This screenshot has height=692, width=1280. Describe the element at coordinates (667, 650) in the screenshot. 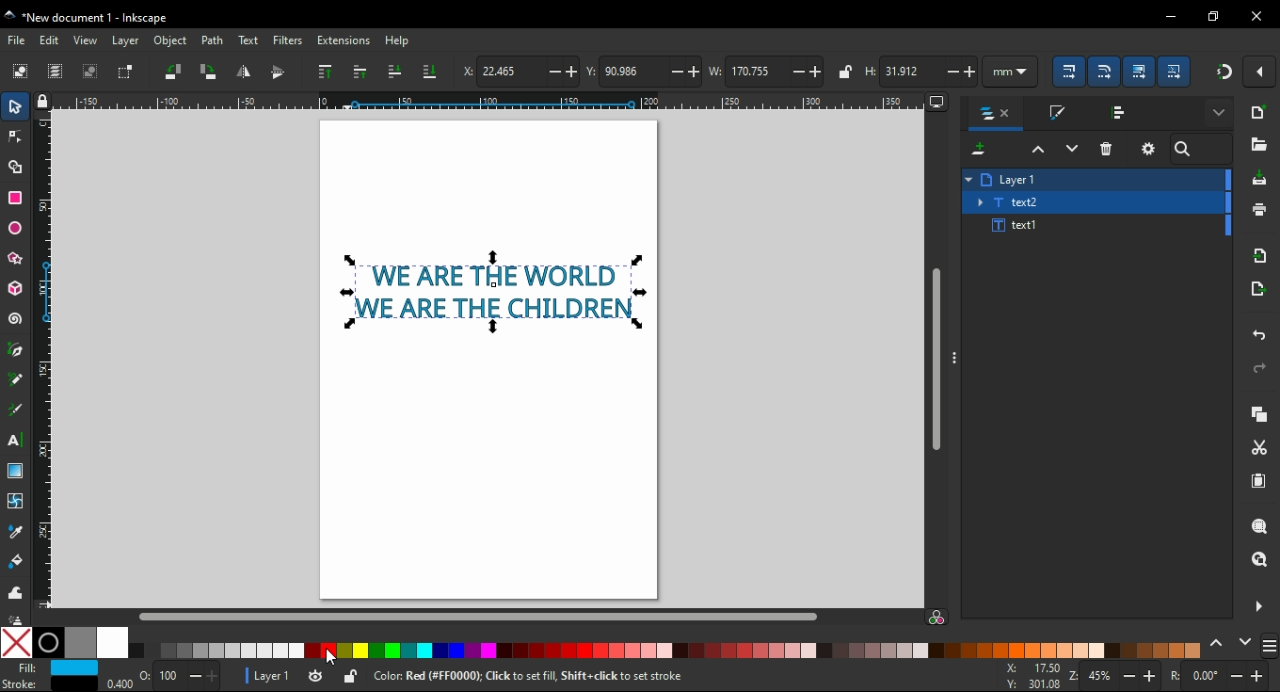

I see `color options` at that location.